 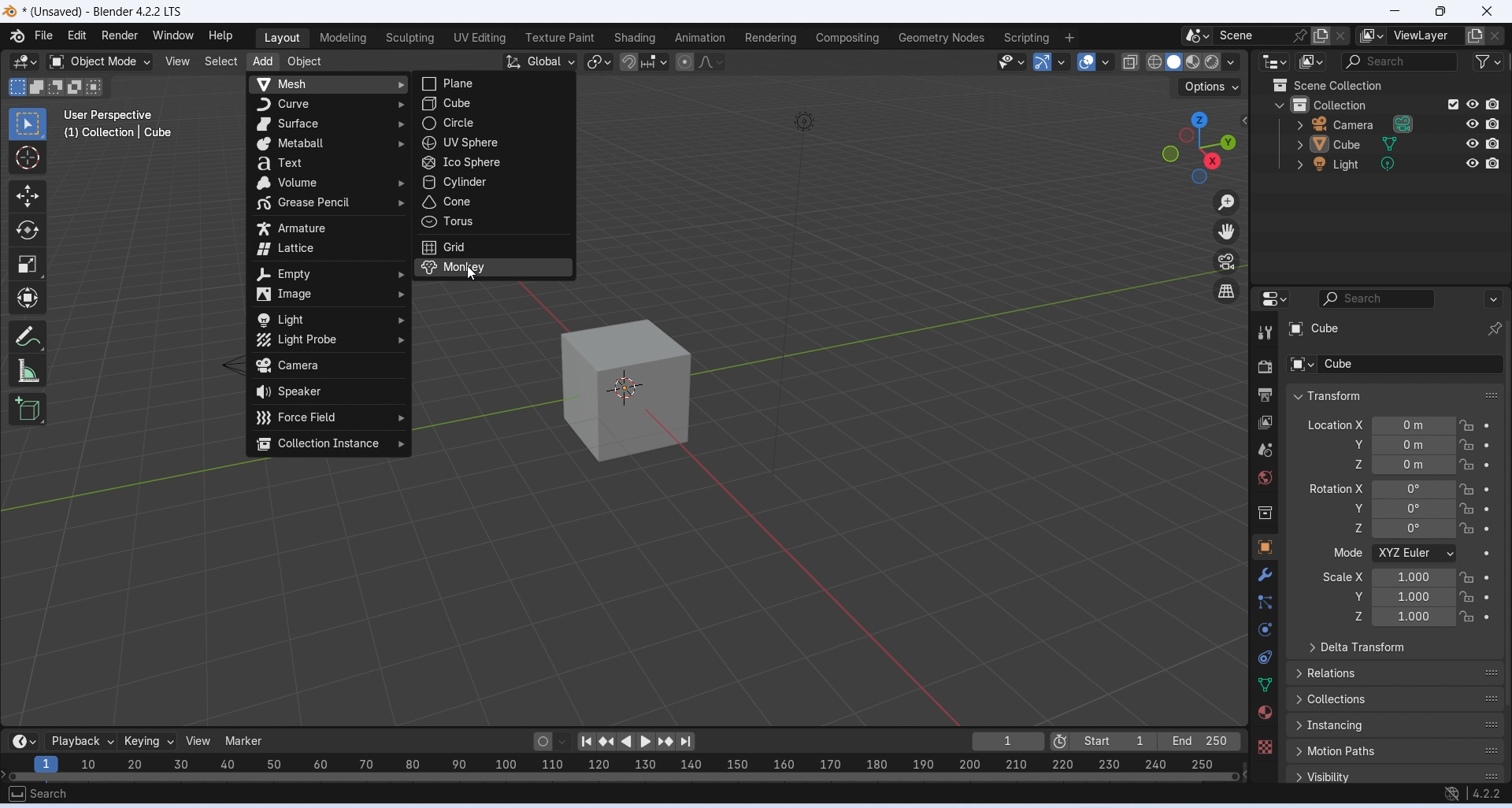 I want to click on delete scene, so click(x=1341, y=35).